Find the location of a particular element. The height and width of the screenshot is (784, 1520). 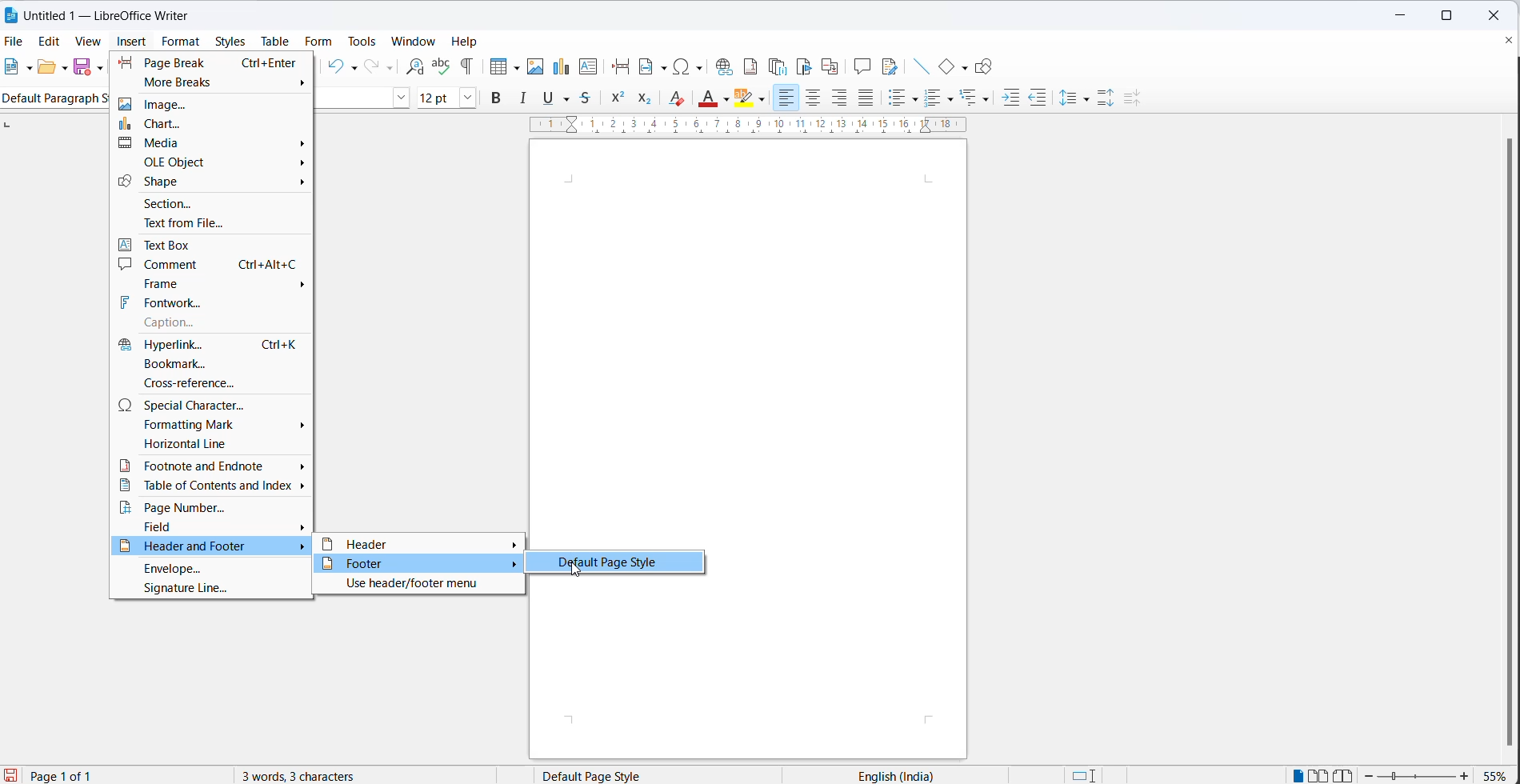

insert cross-reference is located at coordinates (831, 68).